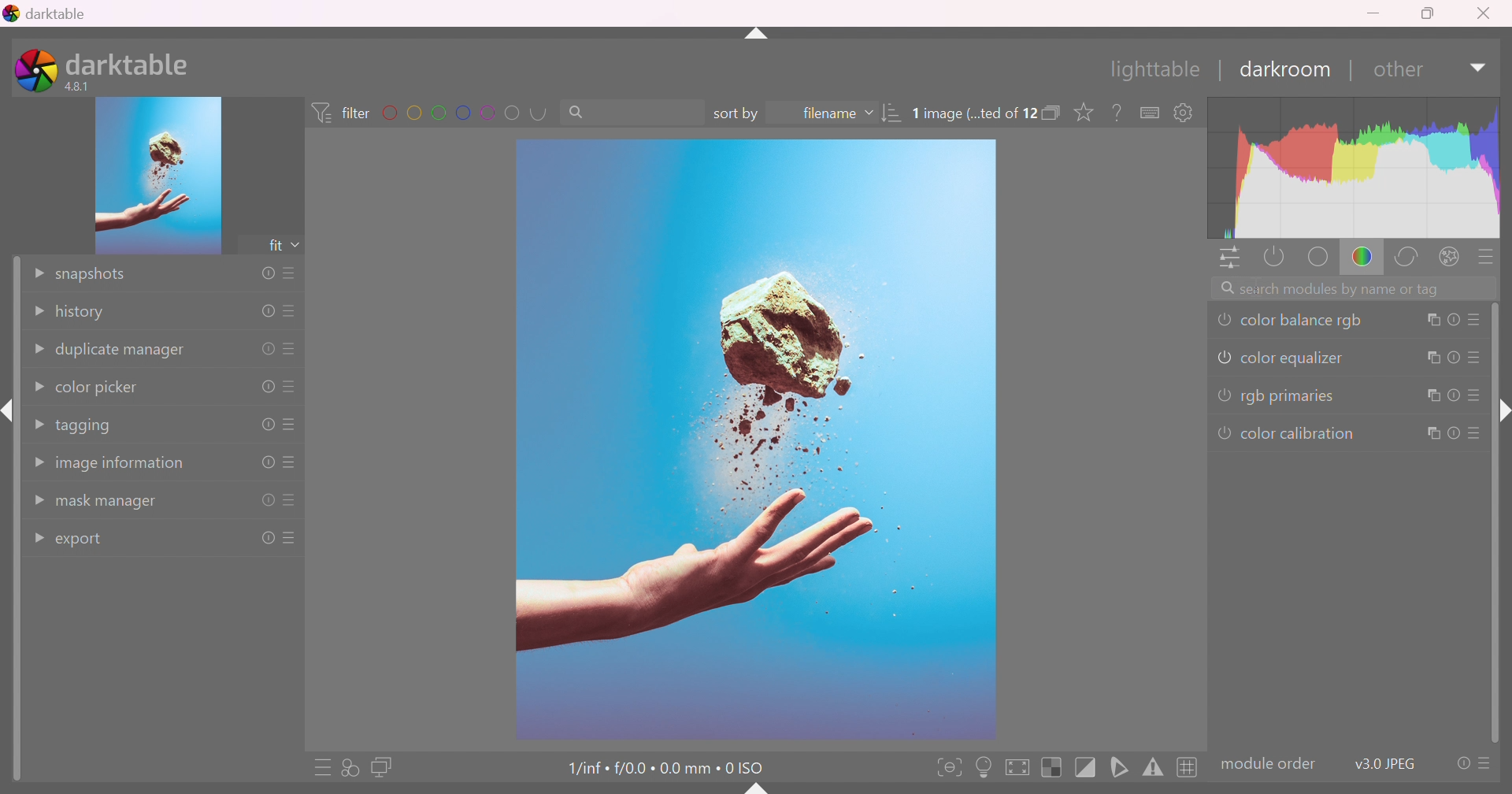  Describe the element at coordinates (949, 766) in the screenshot. I see `toggle focus-peaking mode` at that location.